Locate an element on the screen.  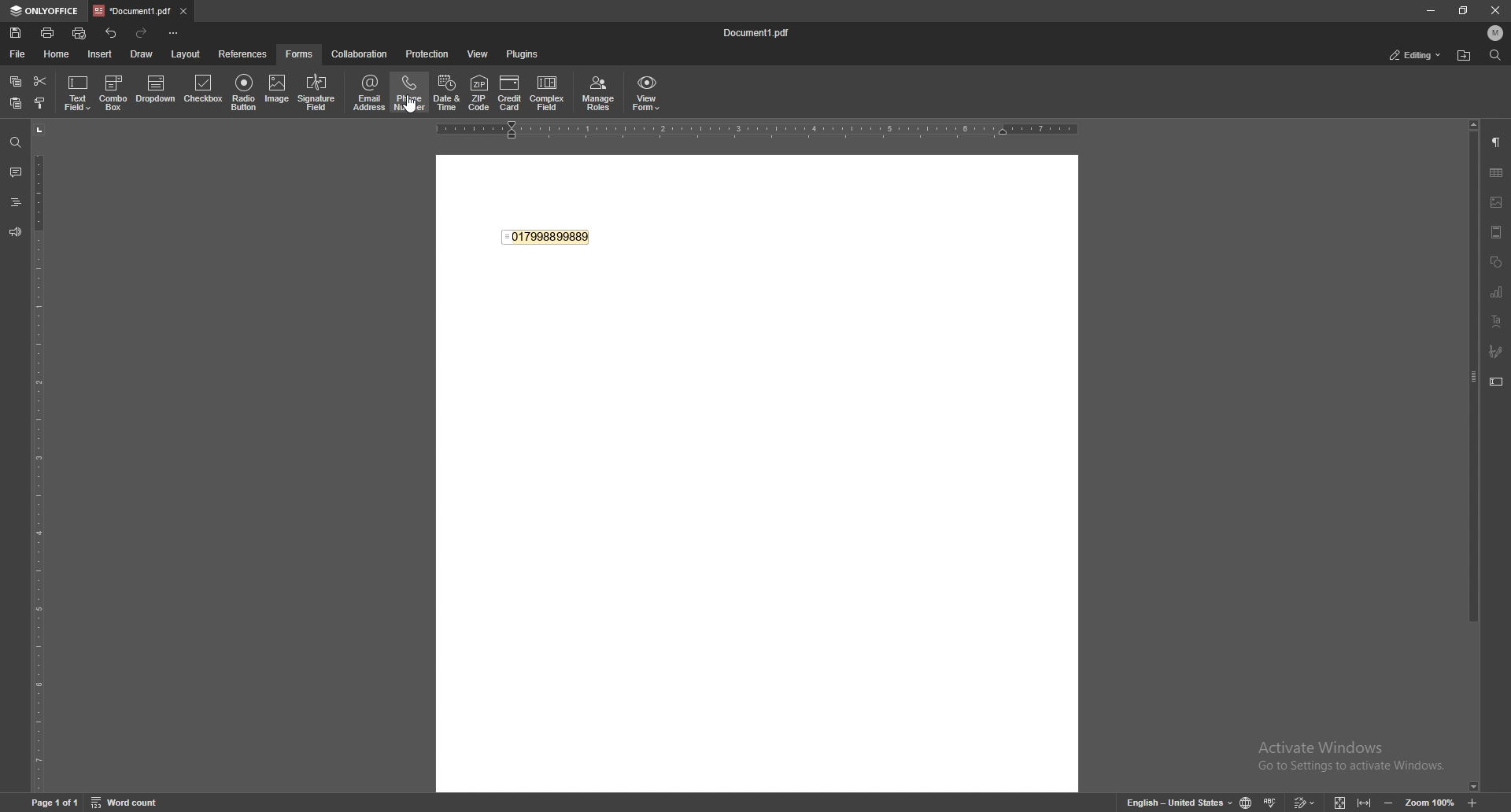
view is located at coordinates (480, 54).